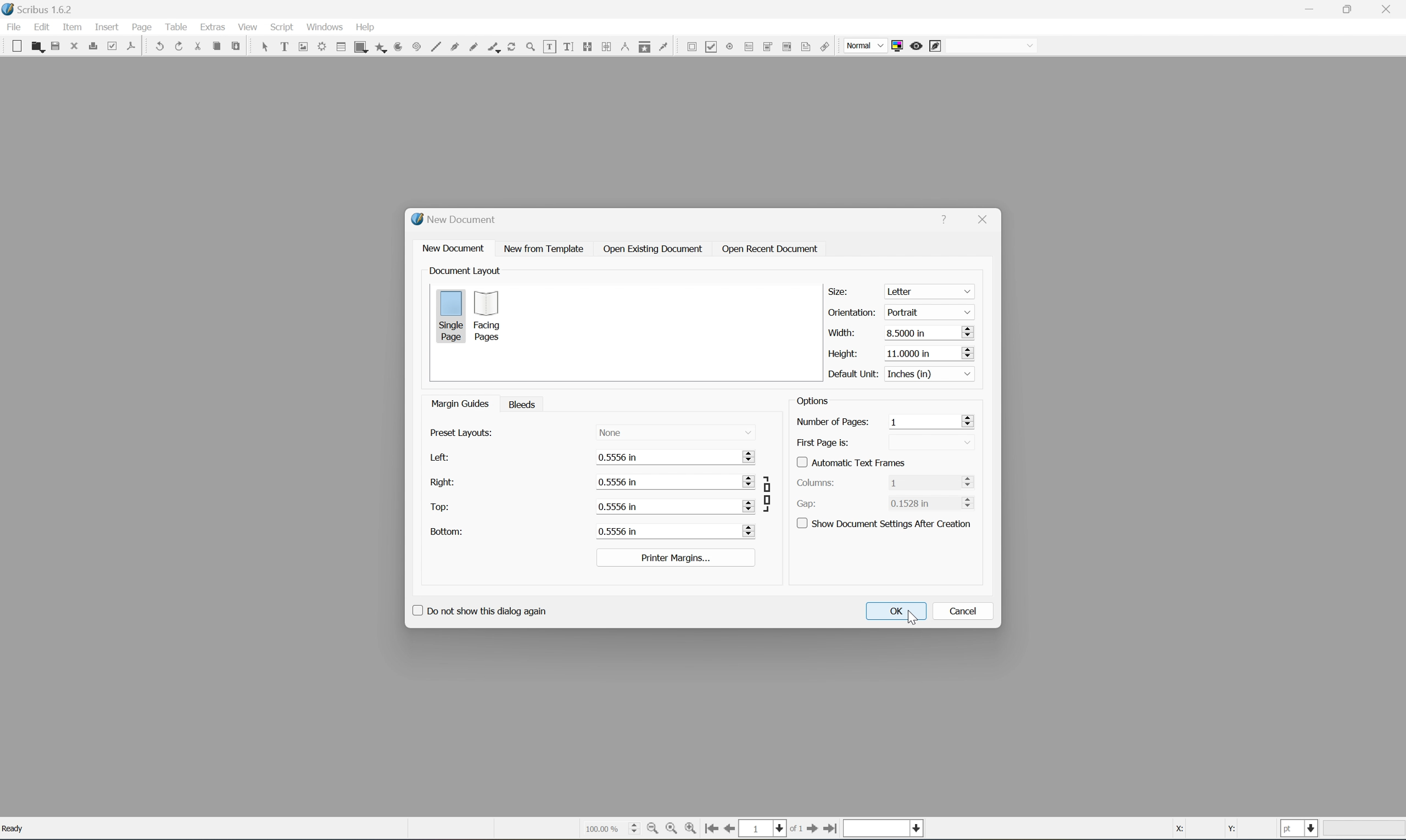 This screenshot has height=840, width=1406. What do you see at coordinates (568, 46) in the screenshot?
I see `edit text with story editor` at bounding box center [568, 46].